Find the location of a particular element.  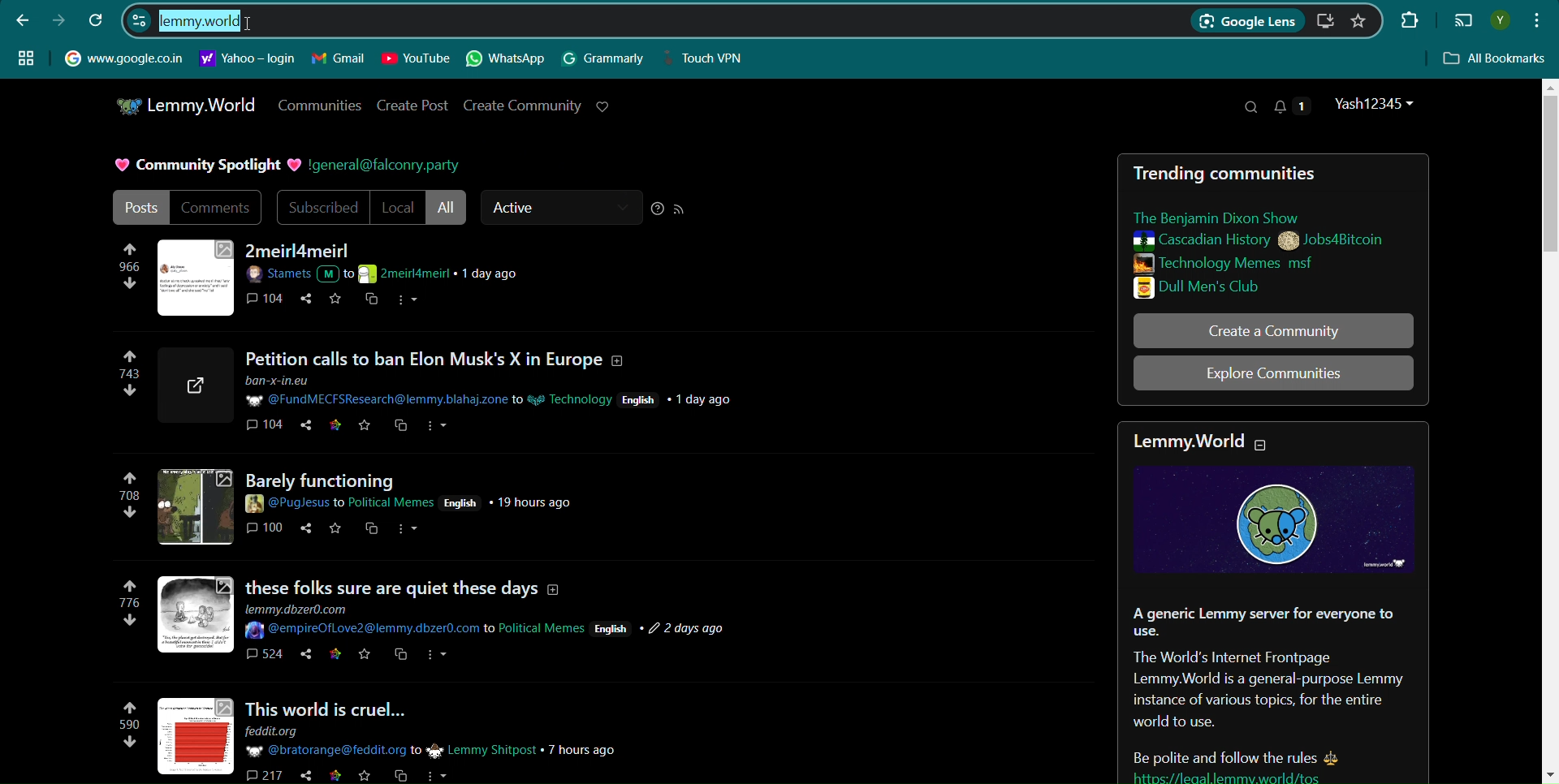

Display on another screen is located at coordinates (1463, 21).